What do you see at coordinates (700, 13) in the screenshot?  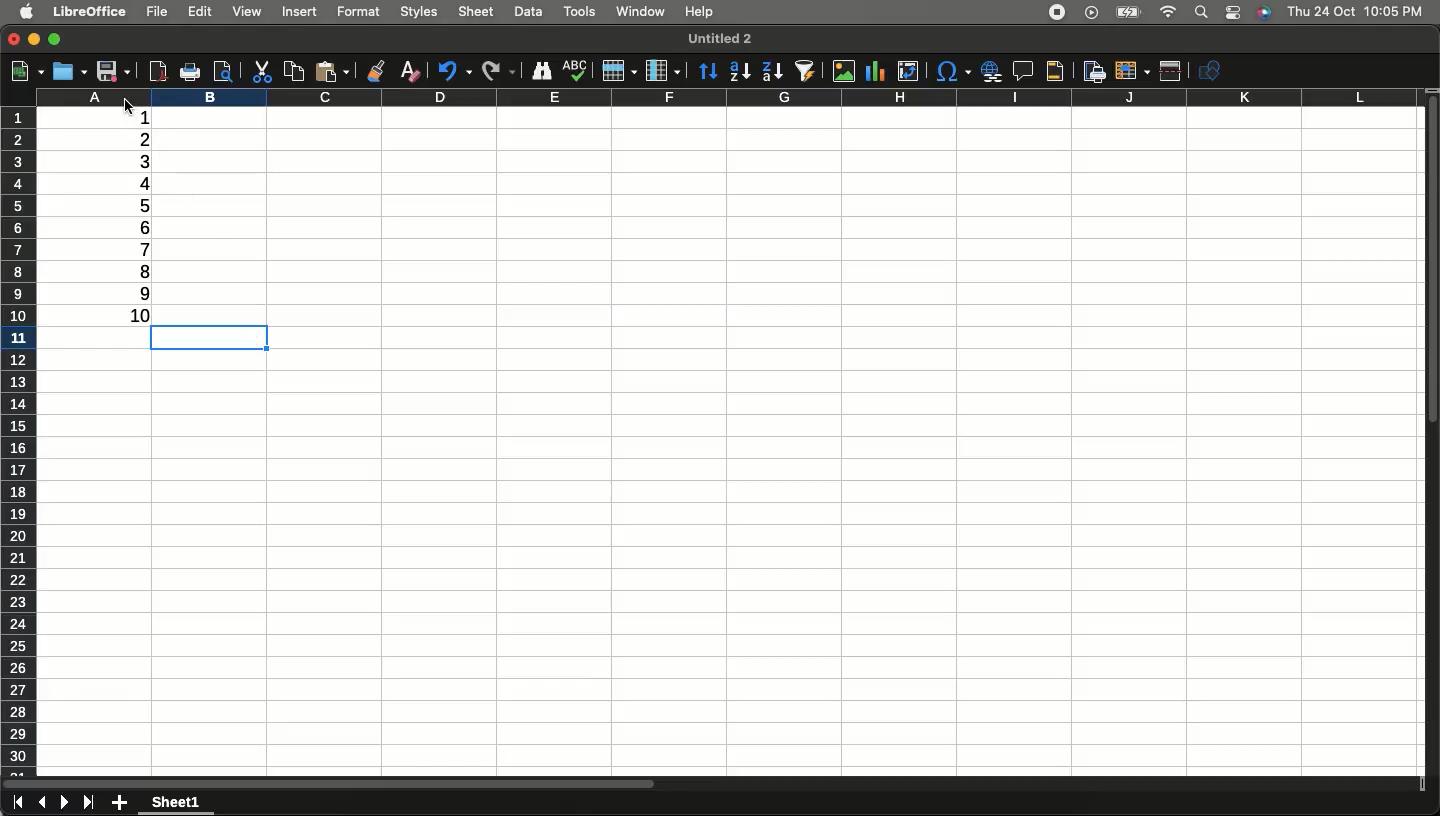 I see `Help` at bounding box center [700, 13].